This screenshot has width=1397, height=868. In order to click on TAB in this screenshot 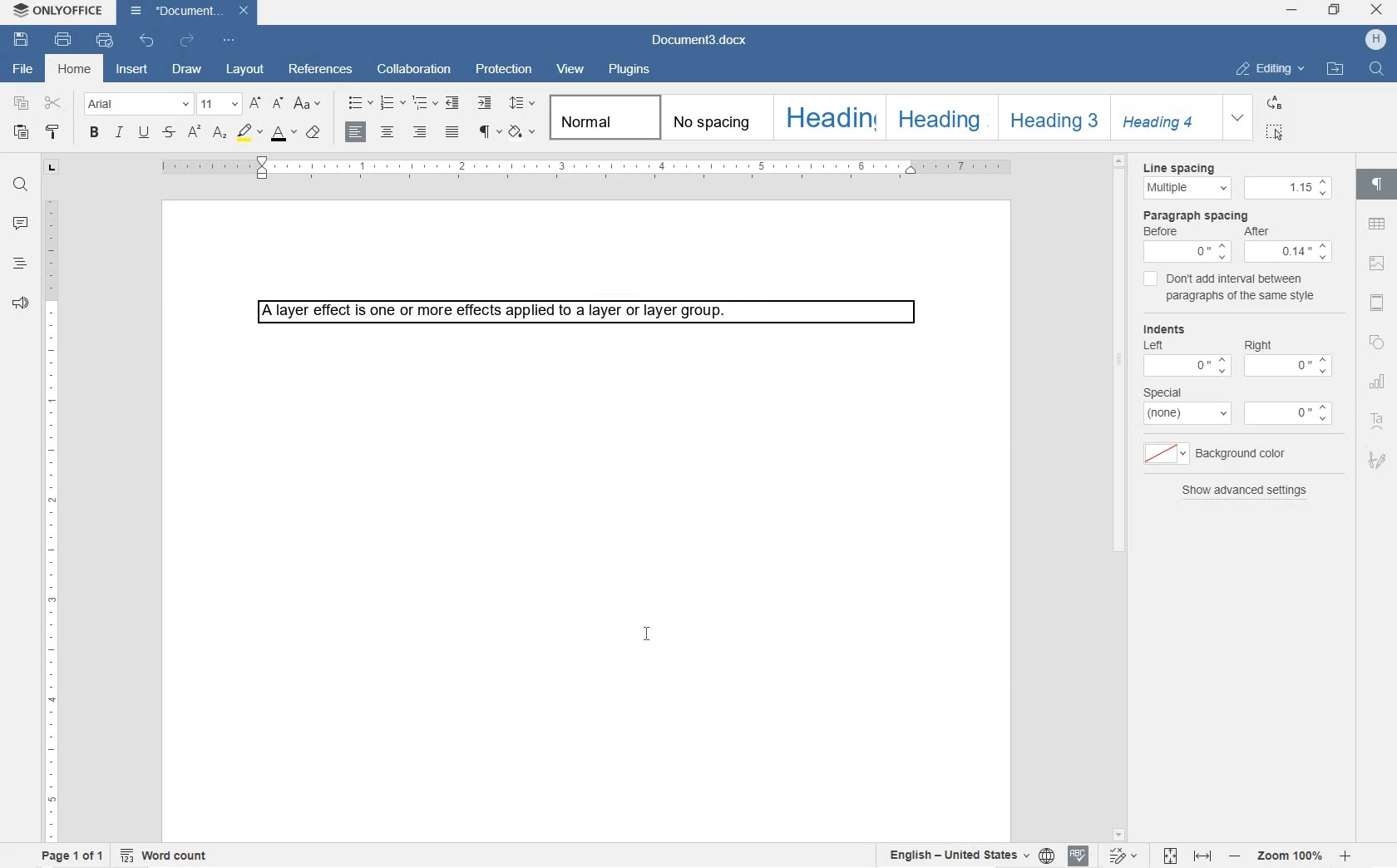, I will do `click(52, 169)`.